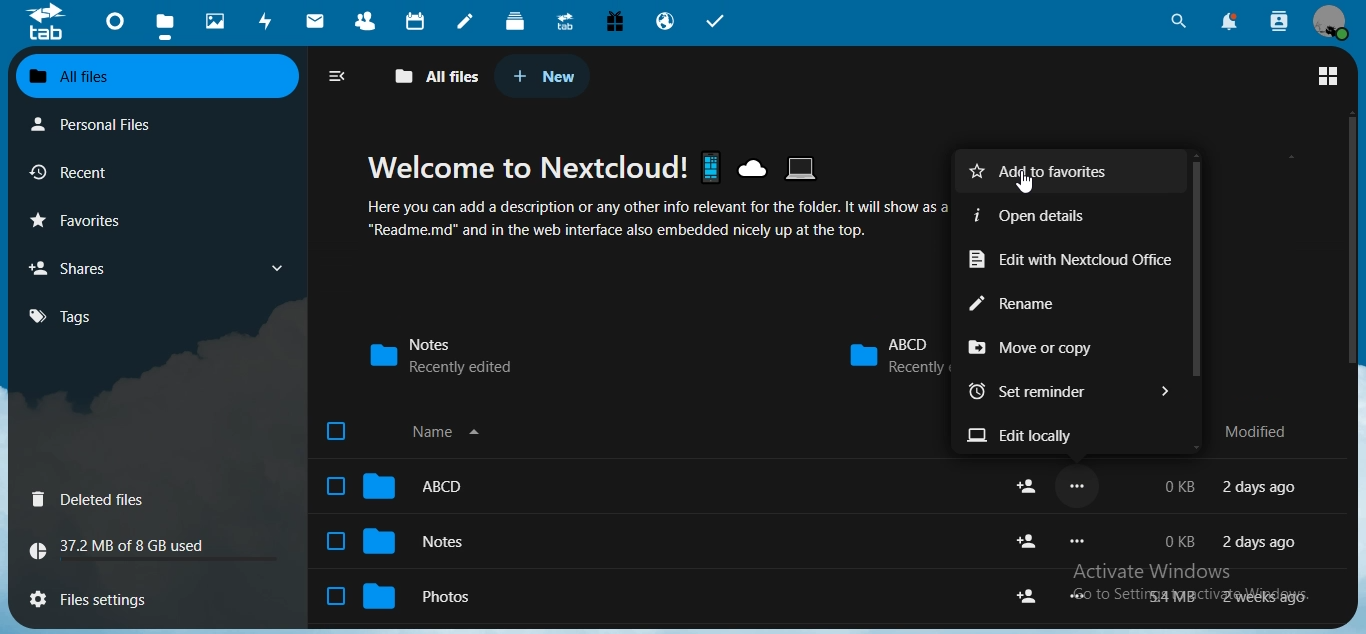 The width and height of the screenshot is (1366, 634). I want to click on text, so click(1233, 540).